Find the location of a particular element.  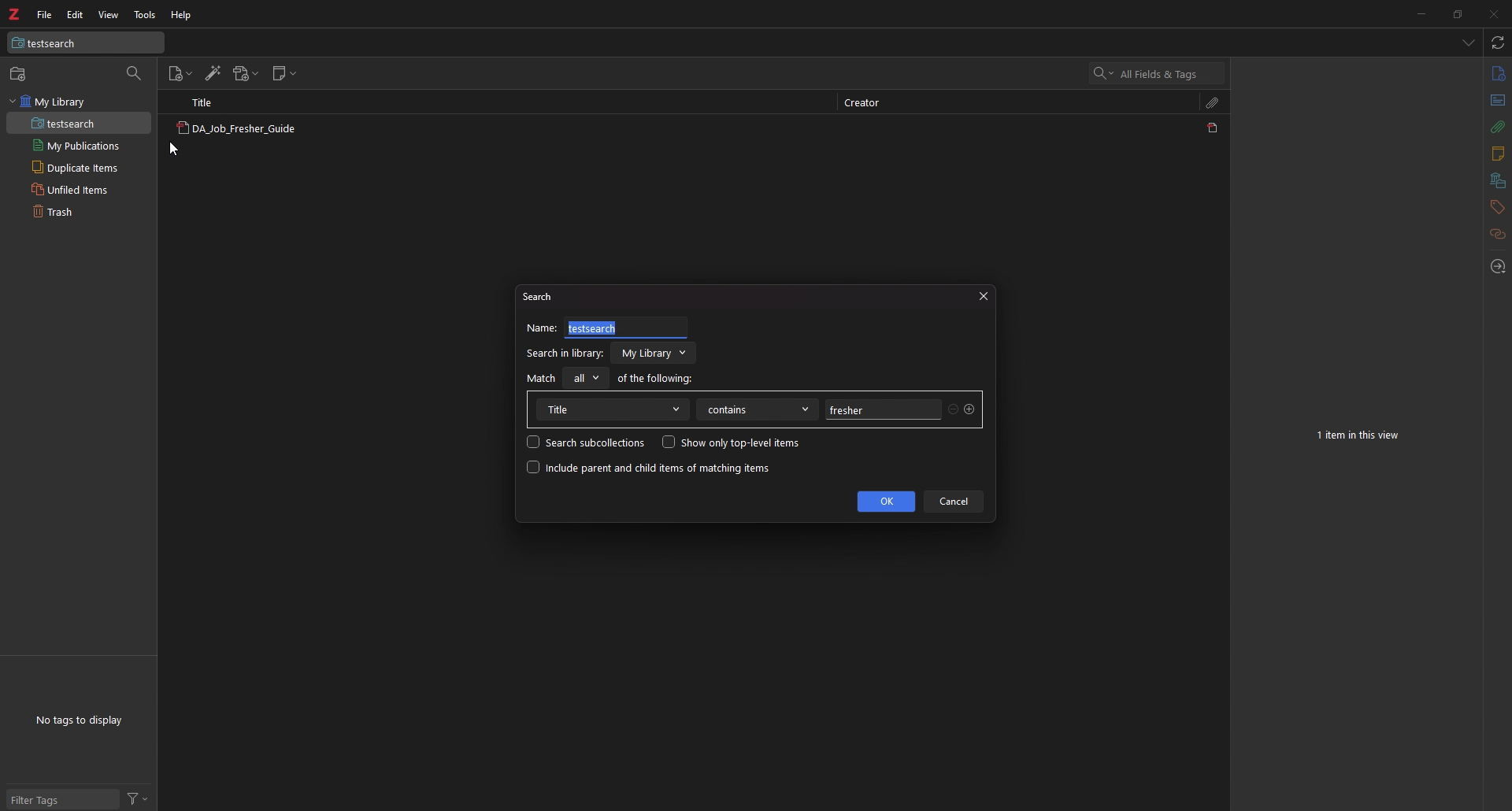

help is located at coordinates (182, 16).